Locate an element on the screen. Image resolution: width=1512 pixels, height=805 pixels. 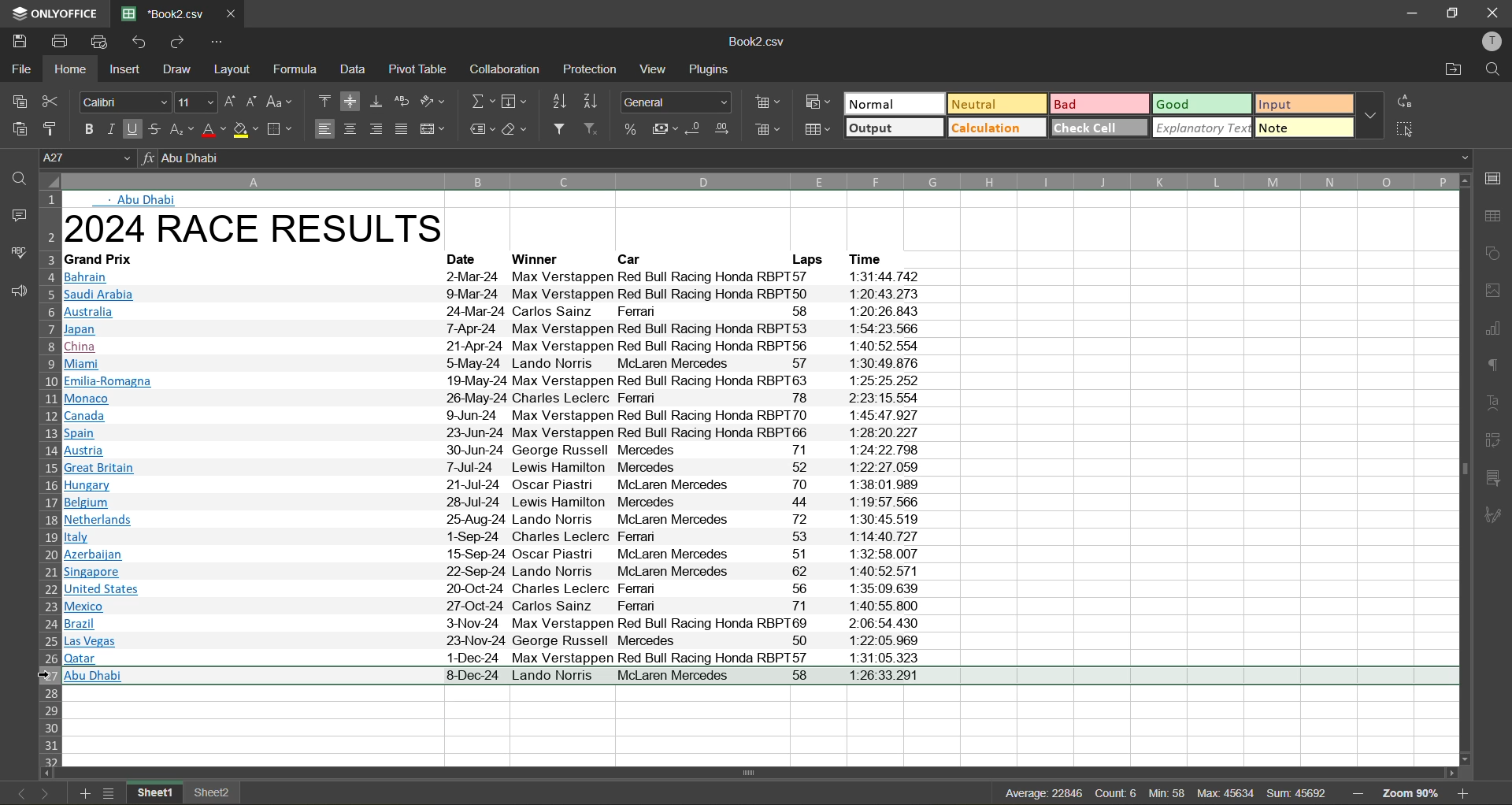
text info is located at coordinates (496, 363).